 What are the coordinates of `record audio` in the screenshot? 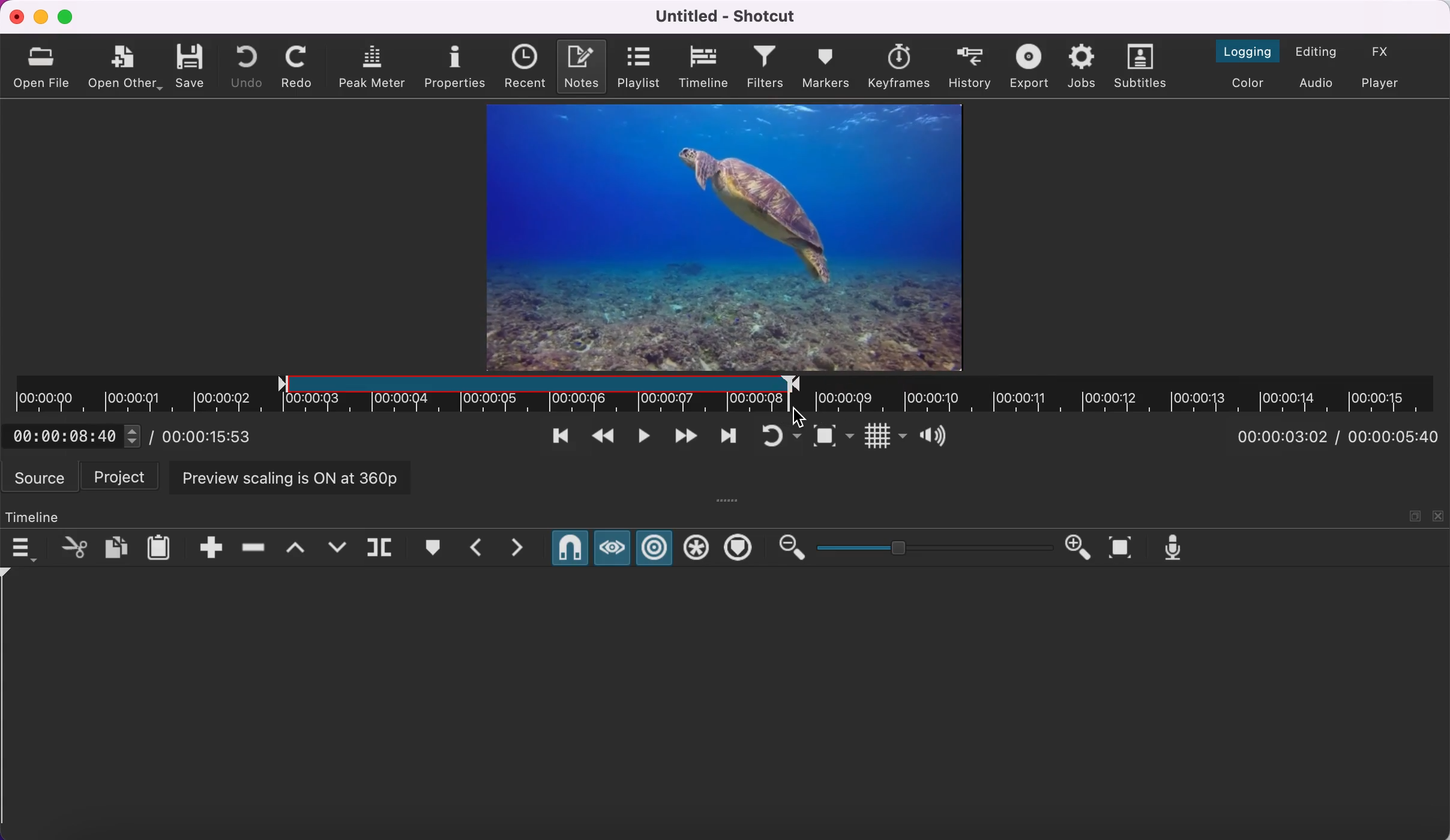 It's located at (1178, 549).